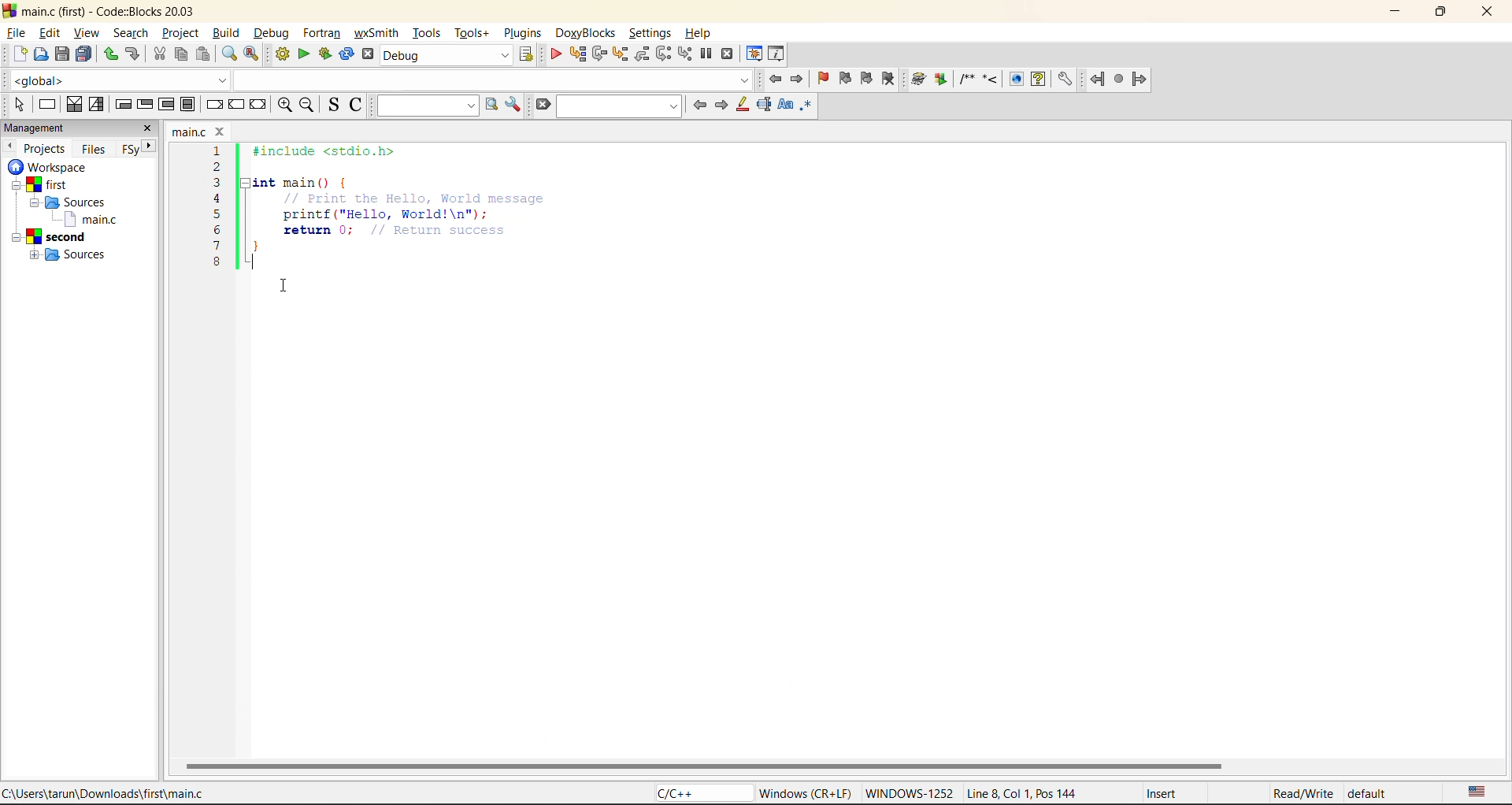 Image resolution: width=1512 pixels, height=805 pixels. What do you see at coordinates (754, 54) in the screenshot?
I see `debugging windows` at bounding box center [754, 54].